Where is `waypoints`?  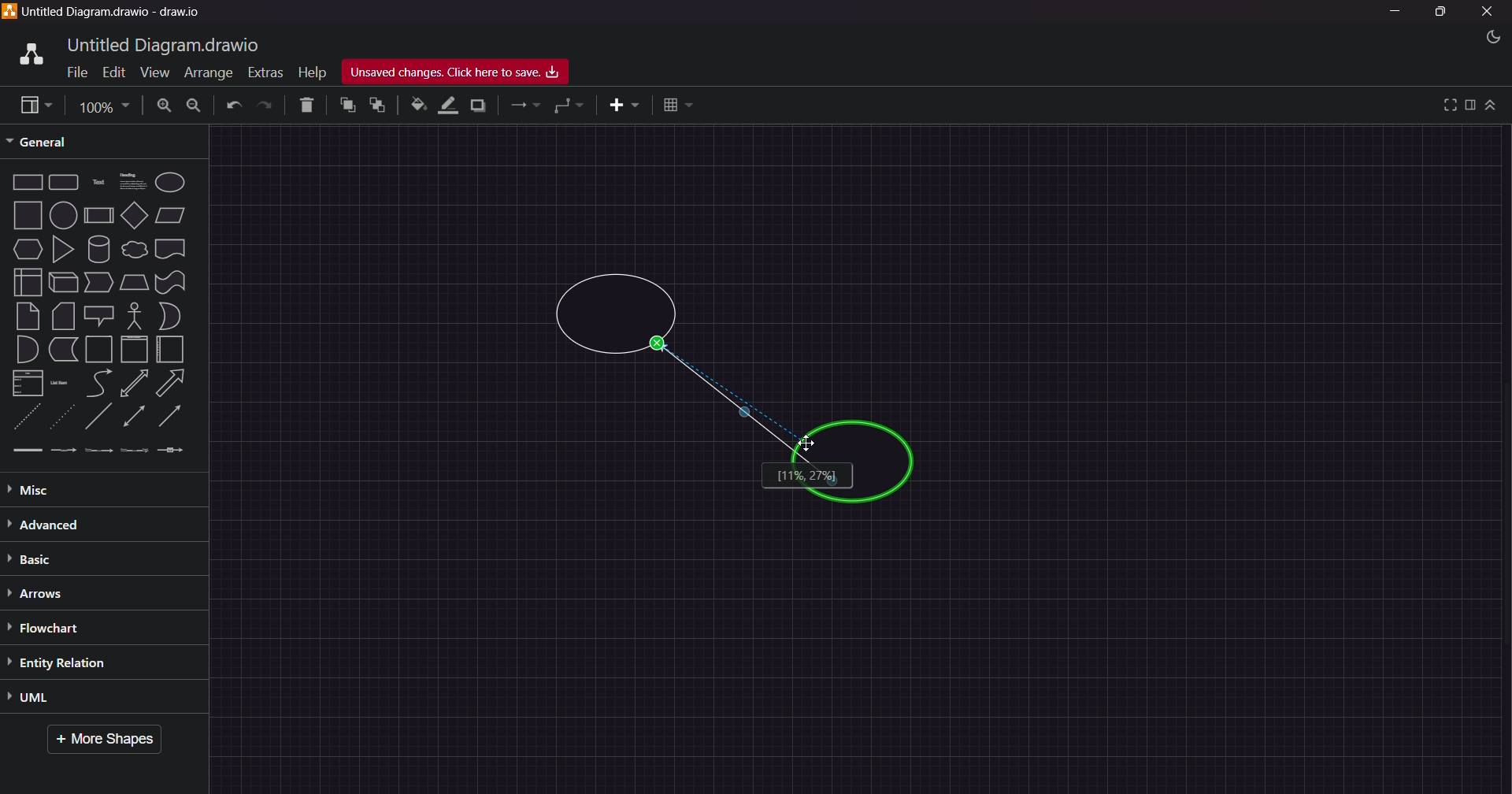
waypoints is located at coordinates (570, 107).